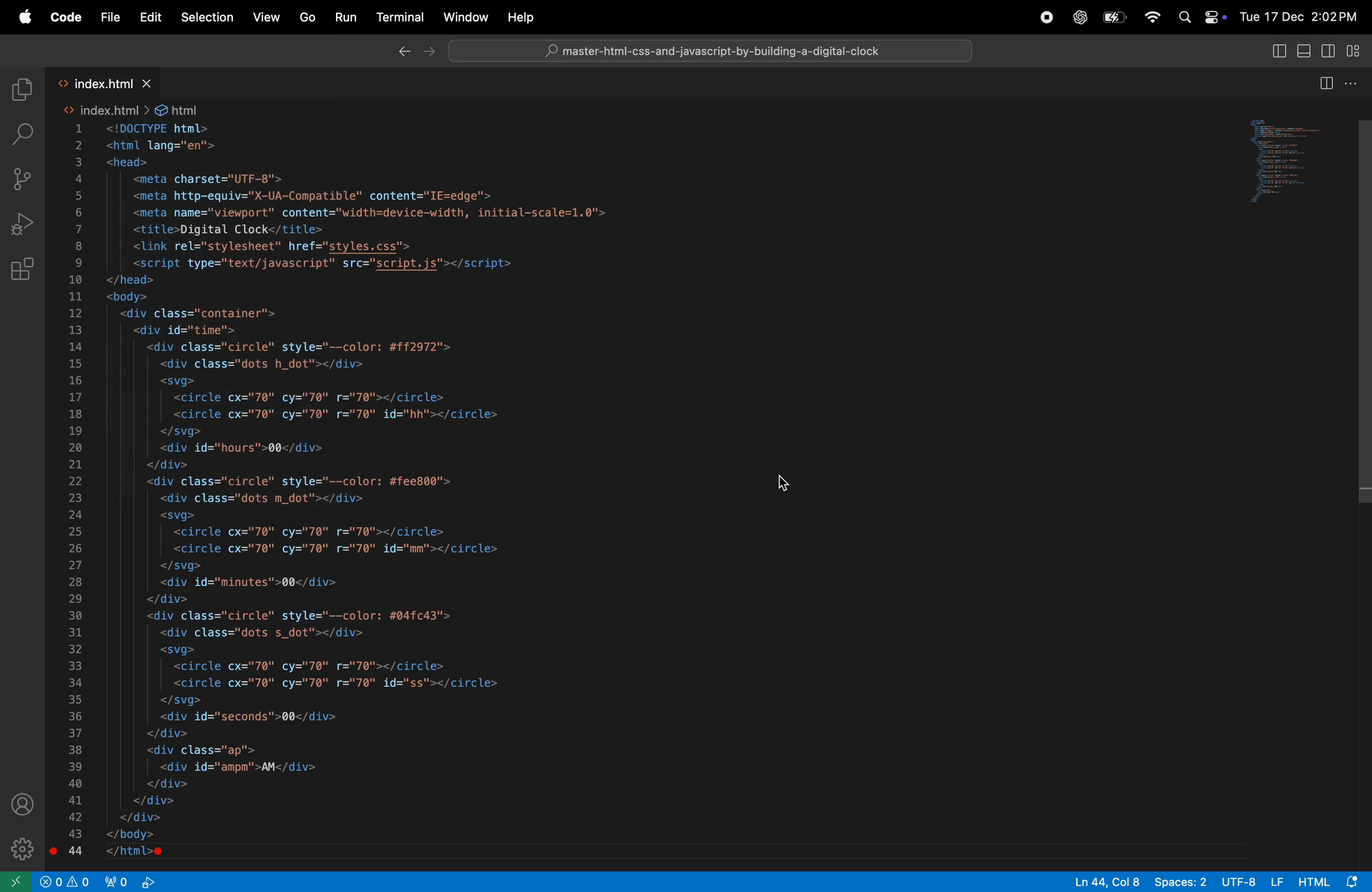 The width and height of the screenshot is (1372, 892). I want to click on profile, so click(24, 806).